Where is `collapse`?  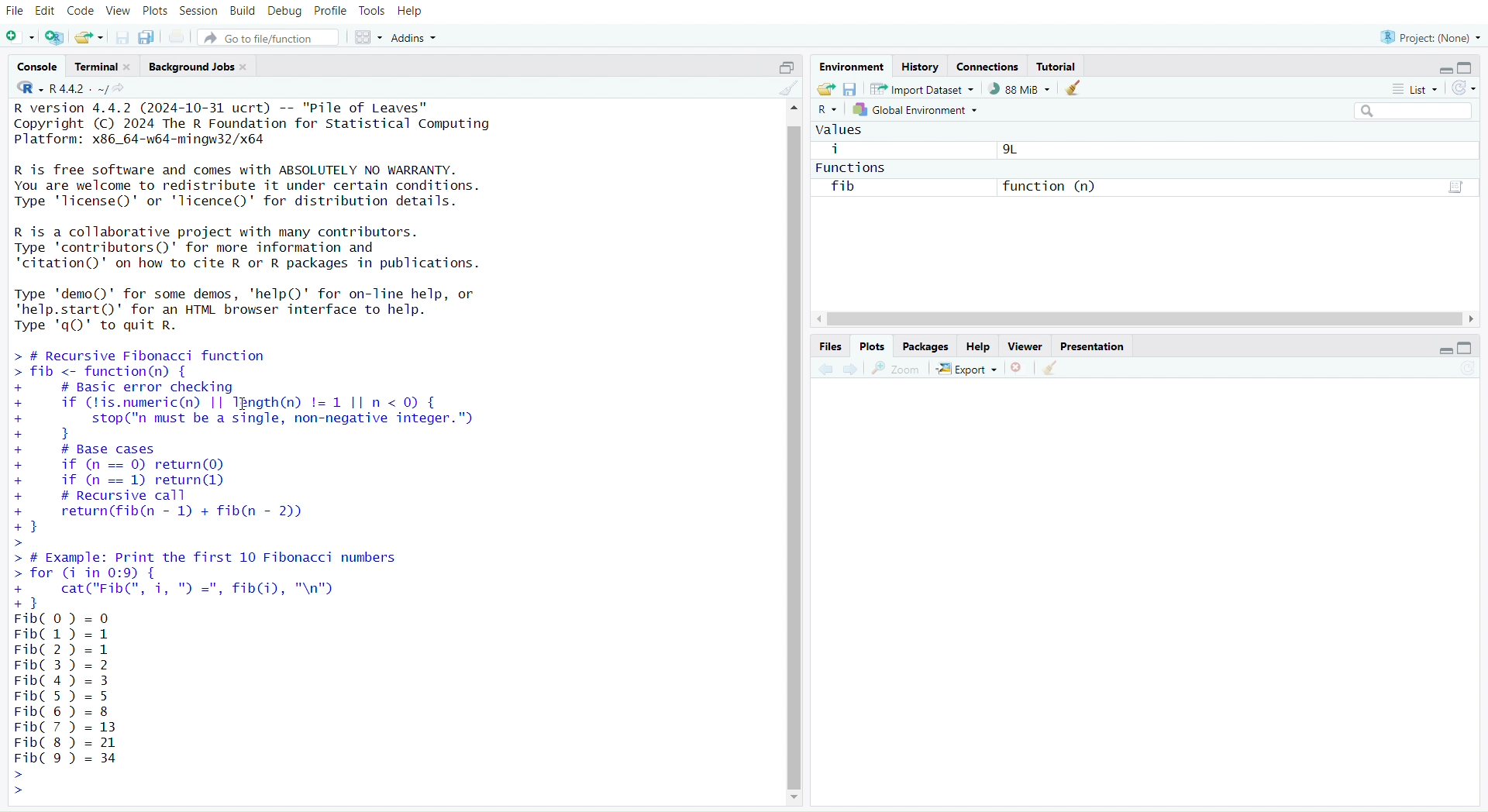
collapse is located at coordinates (783, 68).